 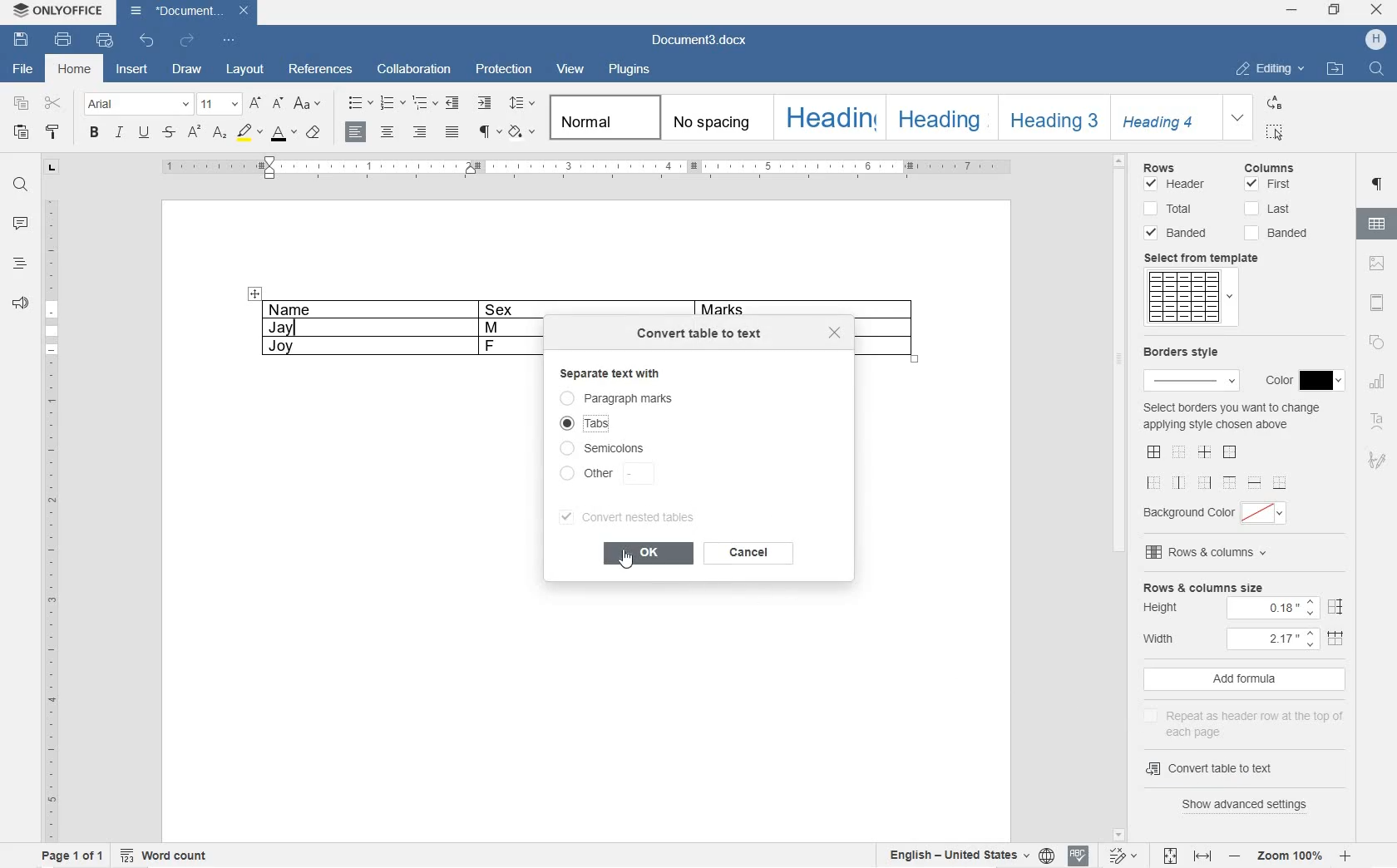 I want to click on ITALIC, so click(x=119, y=134).